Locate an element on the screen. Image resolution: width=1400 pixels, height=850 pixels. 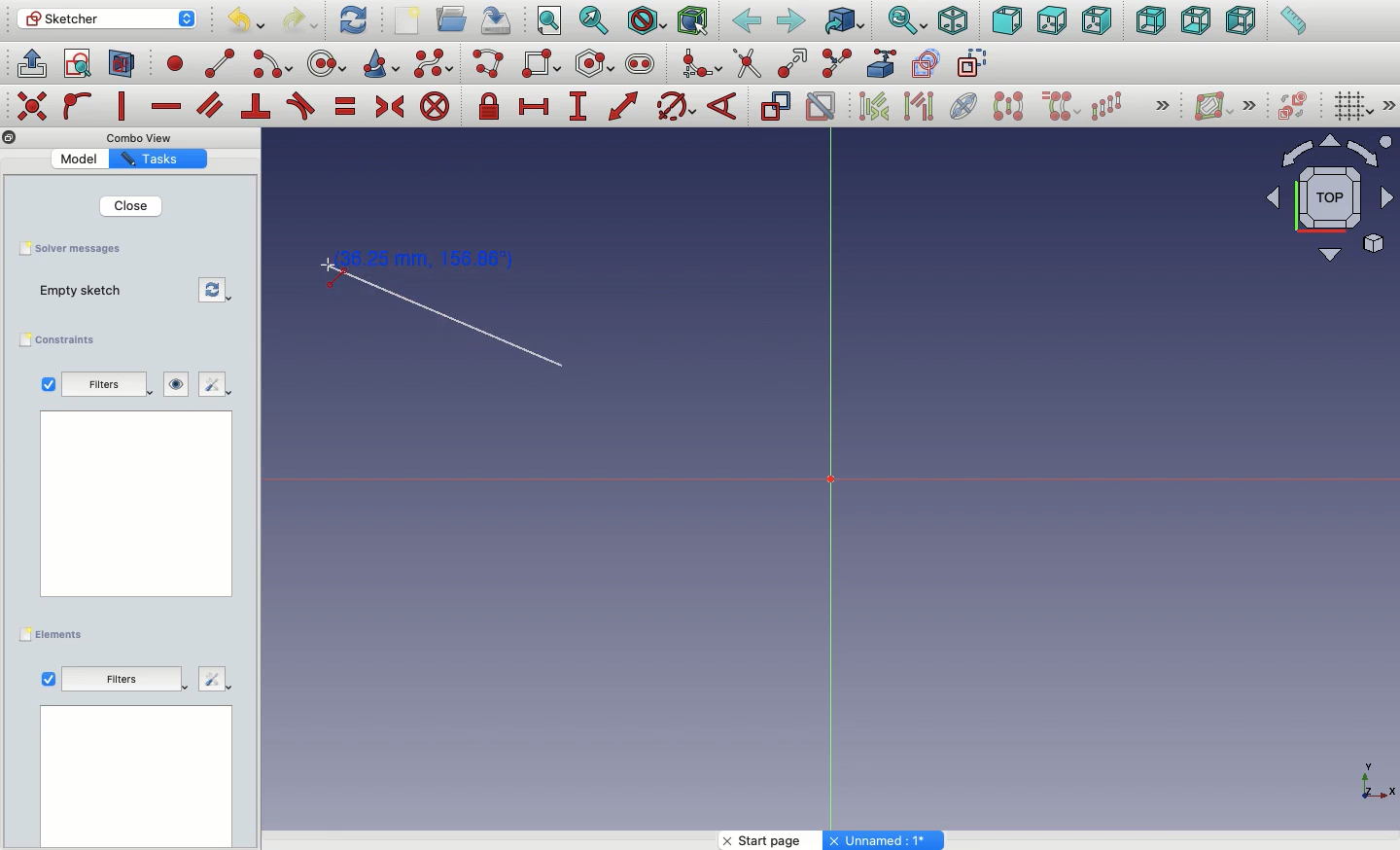
Top is located at coordinates (1050, 22).